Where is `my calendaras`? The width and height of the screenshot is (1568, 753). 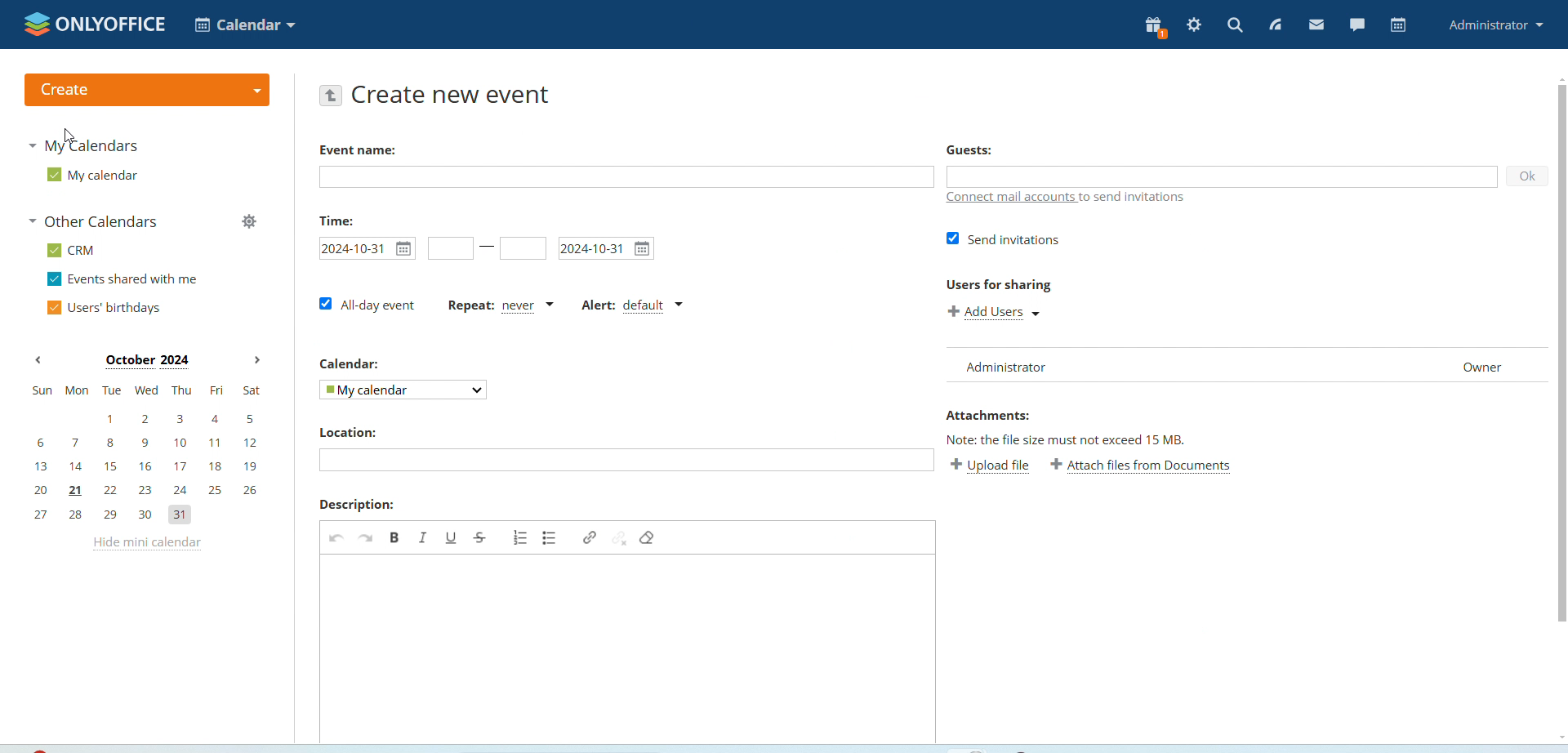
my calendaras is located at coordinates (83, 146).